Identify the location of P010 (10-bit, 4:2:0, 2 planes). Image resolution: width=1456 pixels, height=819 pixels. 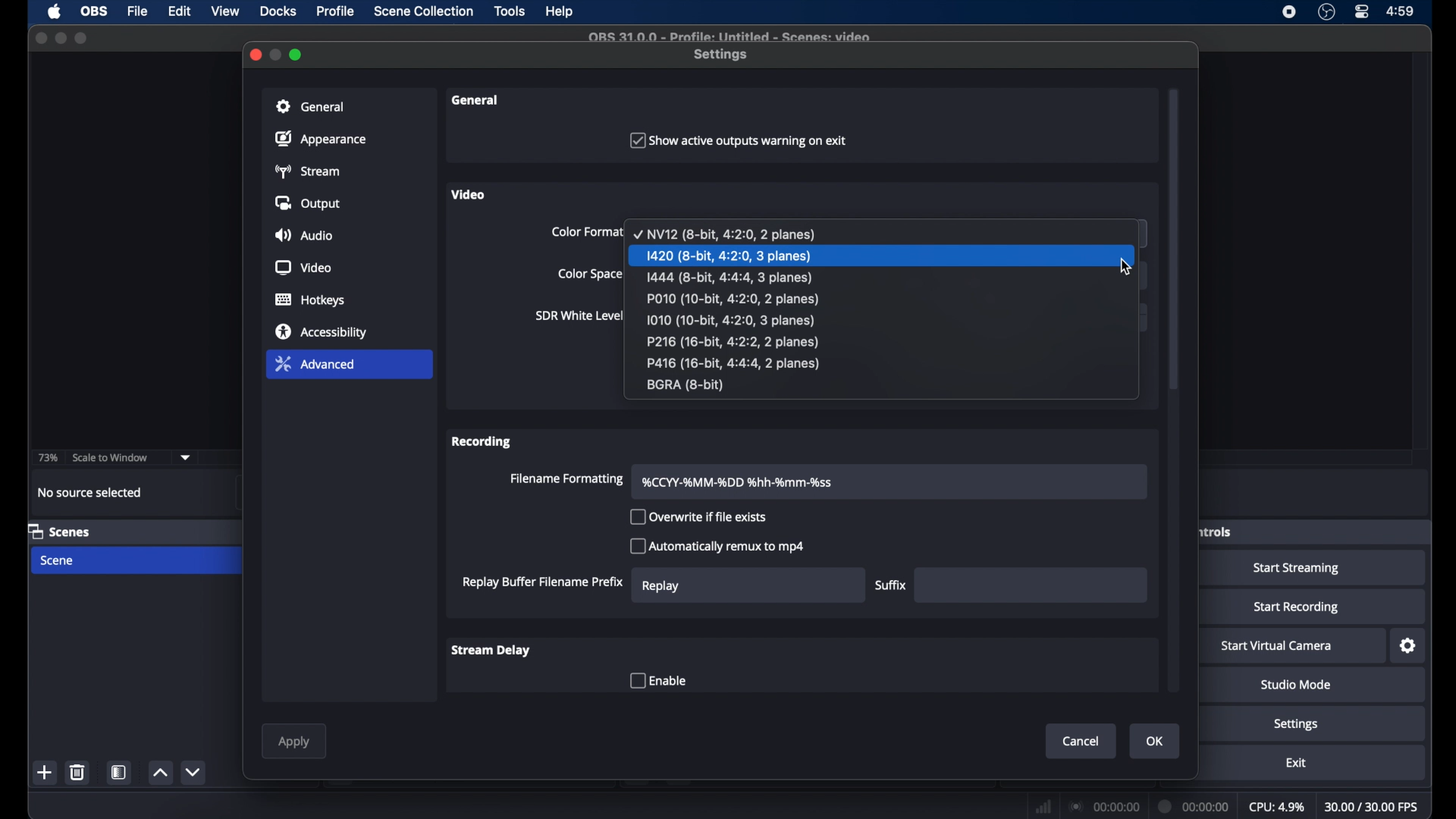
(732, 299).